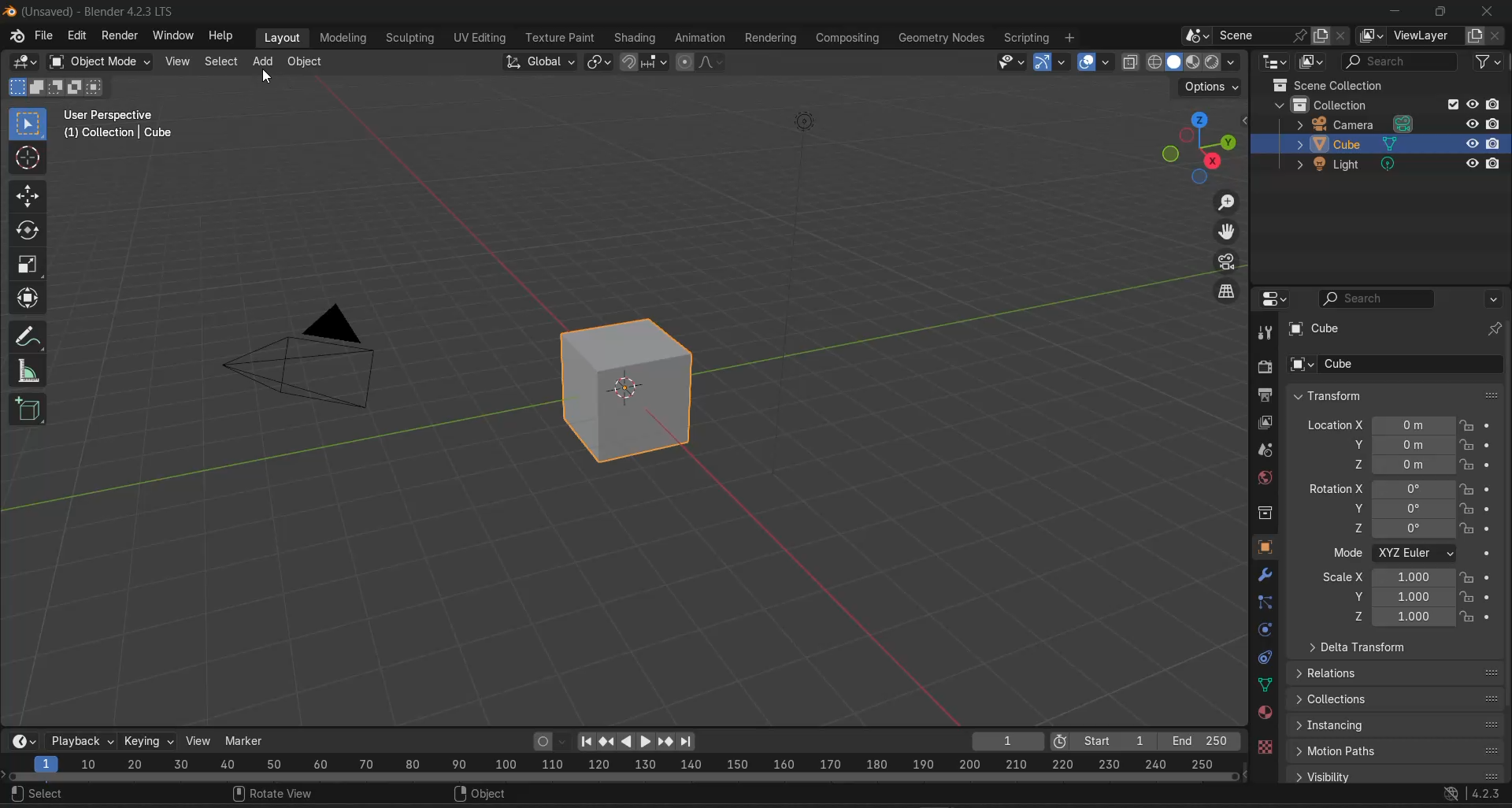 The image size is (1512, 808). I want to click on use preview range, so click(1066, 739).